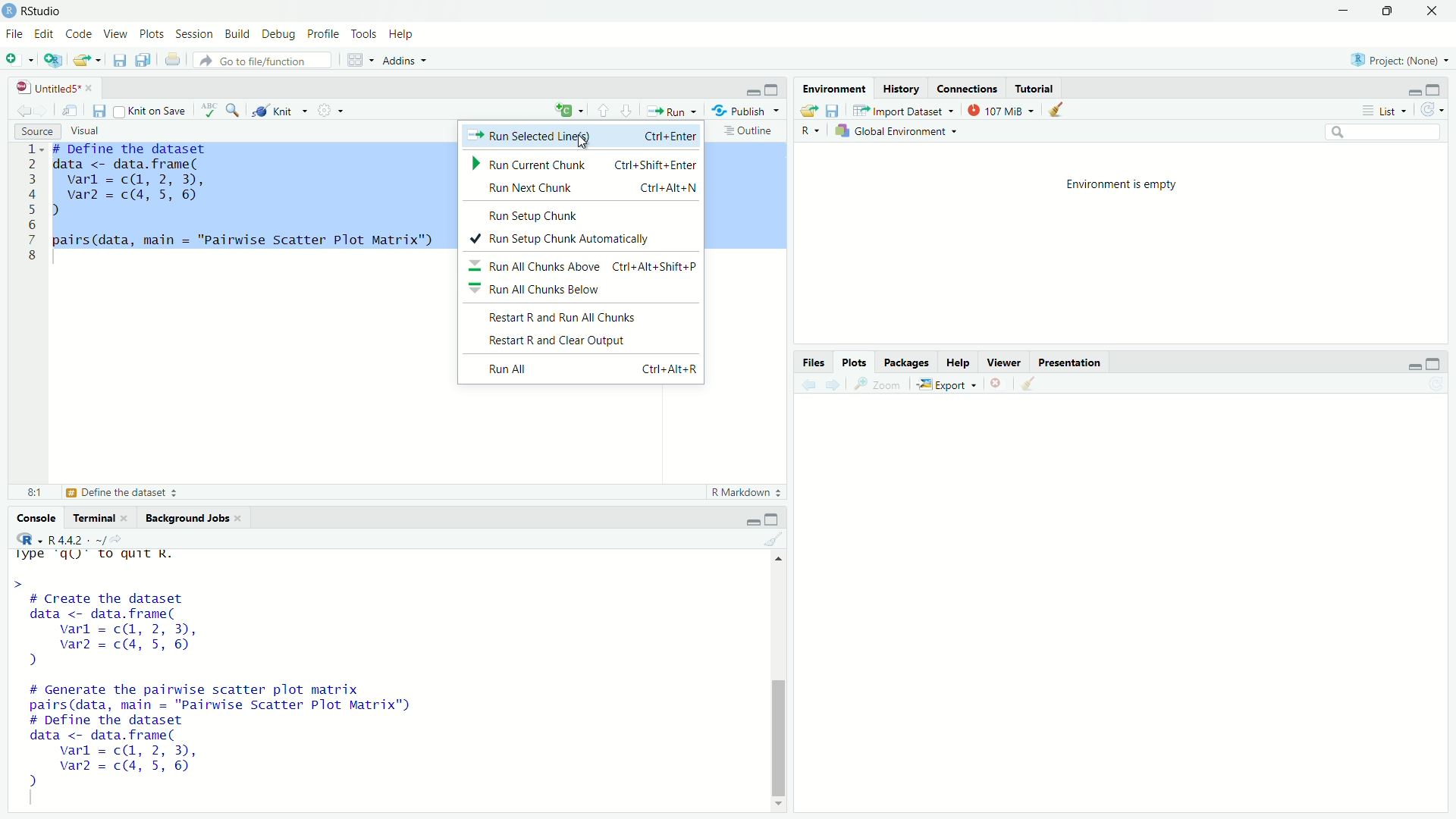  Describe the element at coordinates (262, 59) in the screenshot. I see `Go to file/function` at that location.